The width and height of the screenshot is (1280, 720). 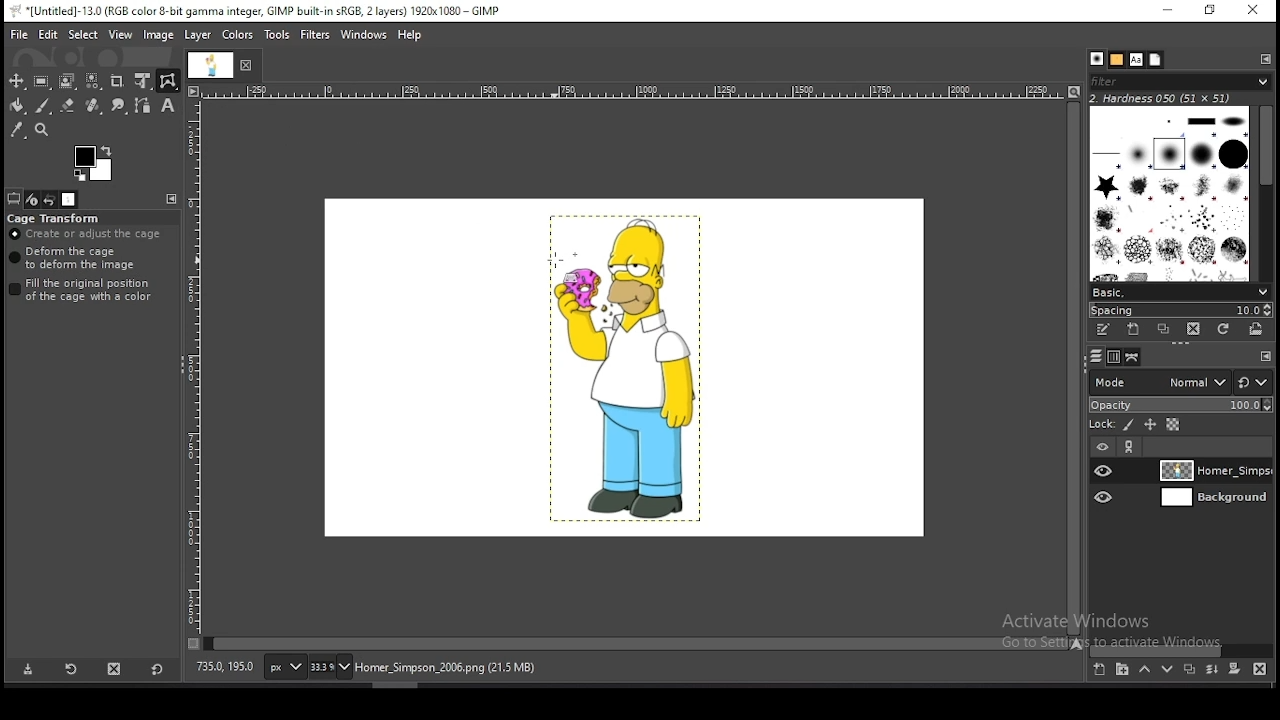 I want to click on hardness, so click(x=1160, y=100).